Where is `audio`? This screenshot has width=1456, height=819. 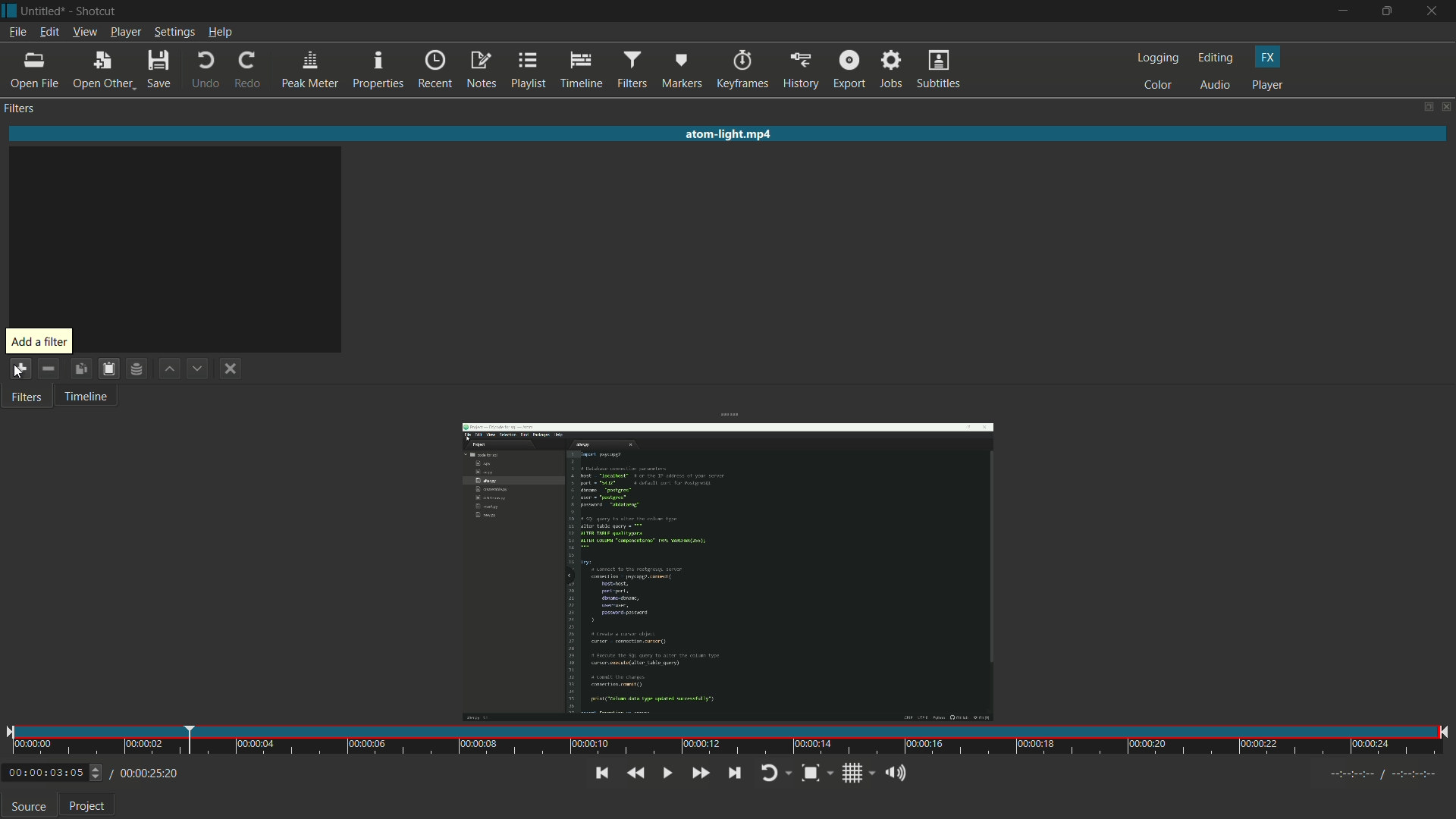
audio is located at coordinates (1215, 86).